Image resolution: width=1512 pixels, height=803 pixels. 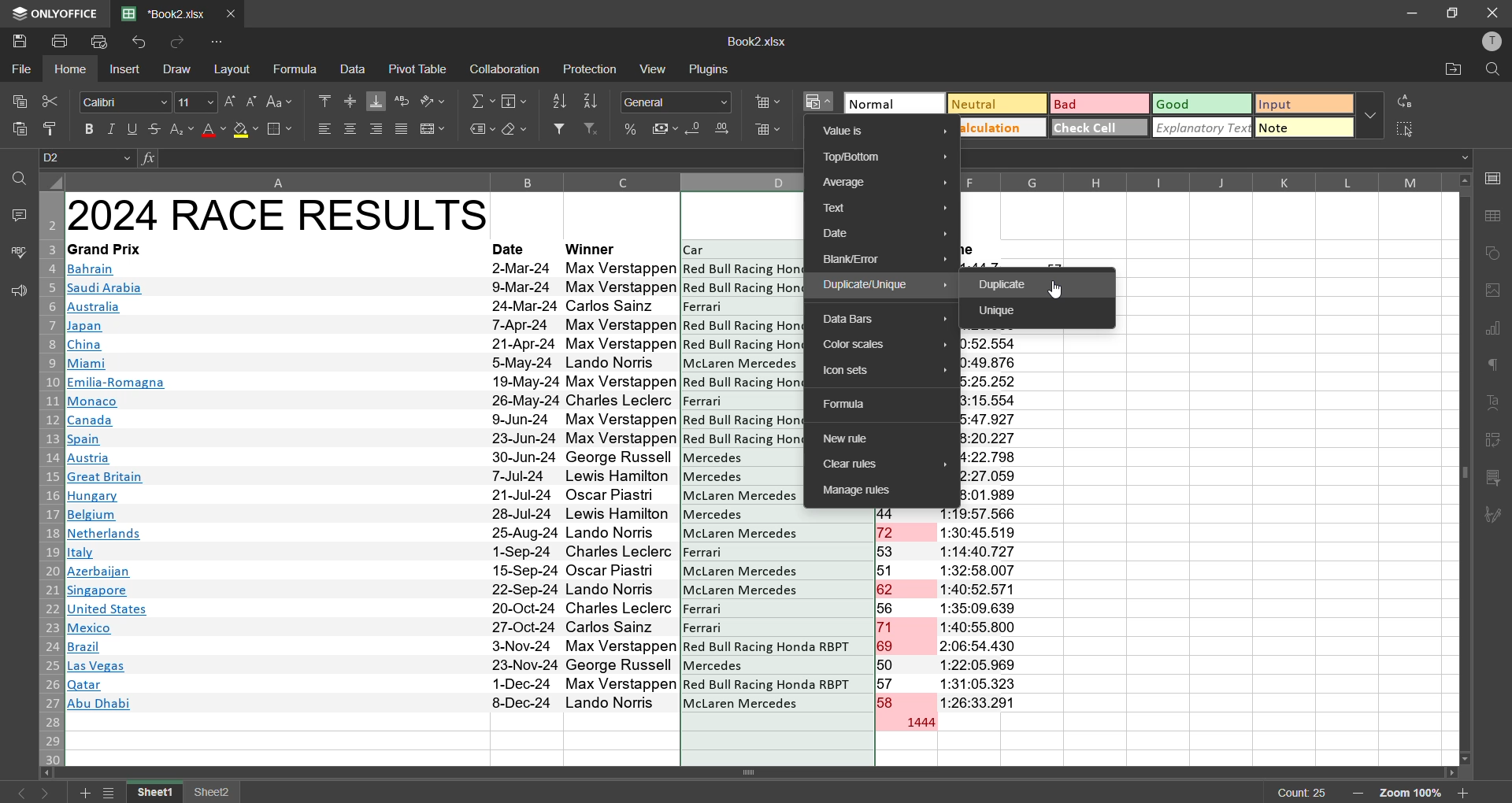 I want to click on date, so click(x=886, y=235).